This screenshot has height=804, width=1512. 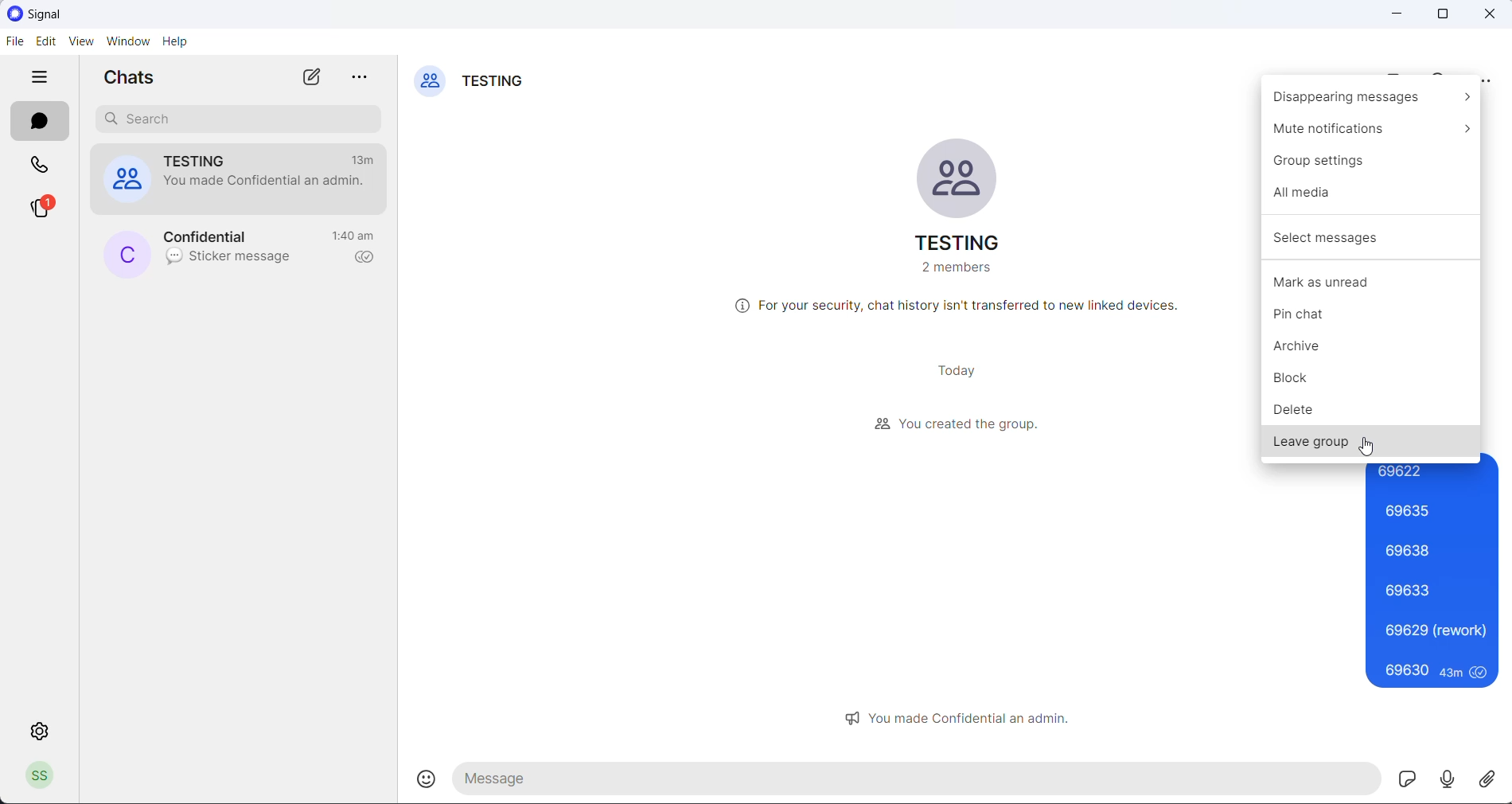 What do you see at coordinates (1372, 318) in the screenshot?
I see `pin chat` at bounding box center [1372, 318].